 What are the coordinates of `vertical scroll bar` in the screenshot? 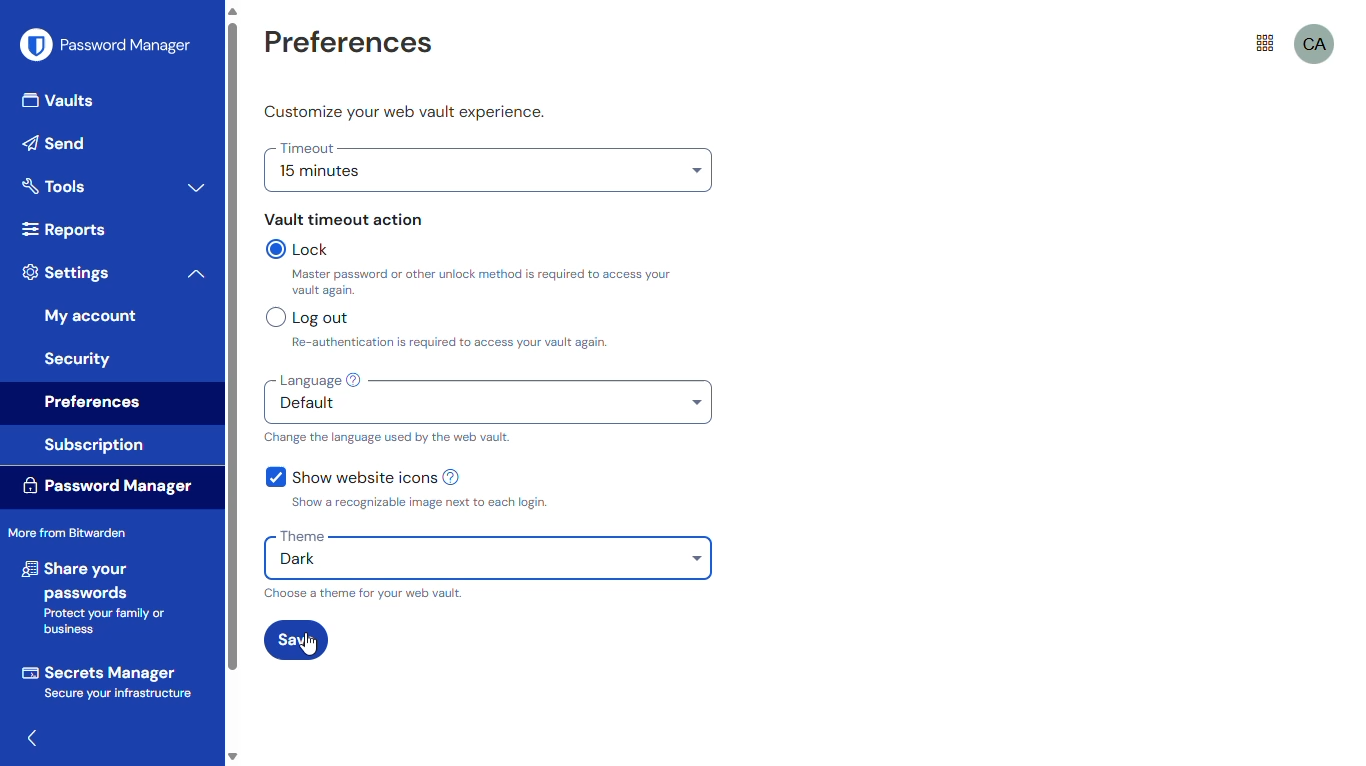 It's located at (232, 346).